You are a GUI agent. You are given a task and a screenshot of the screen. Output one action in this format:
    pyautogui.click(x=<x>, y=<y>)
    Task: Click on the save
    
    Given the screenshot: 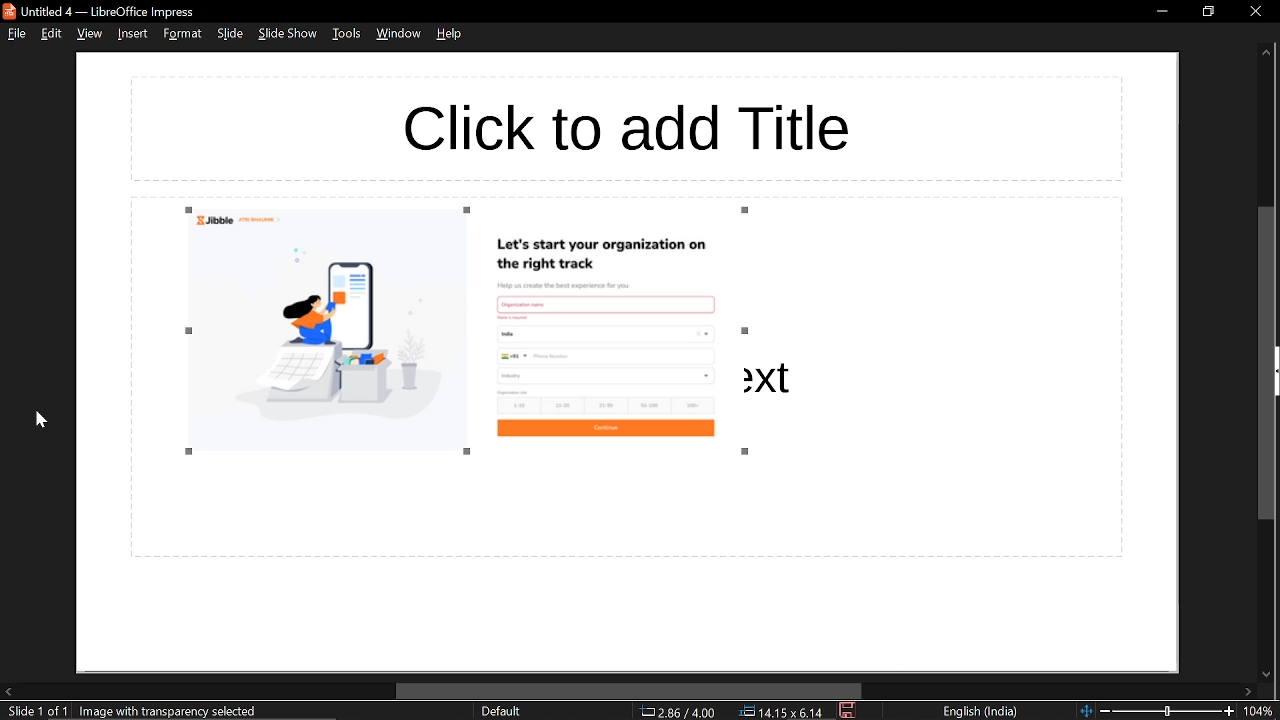 What is the action you would take?
    pyautogui.click(x=849, y=711)
    